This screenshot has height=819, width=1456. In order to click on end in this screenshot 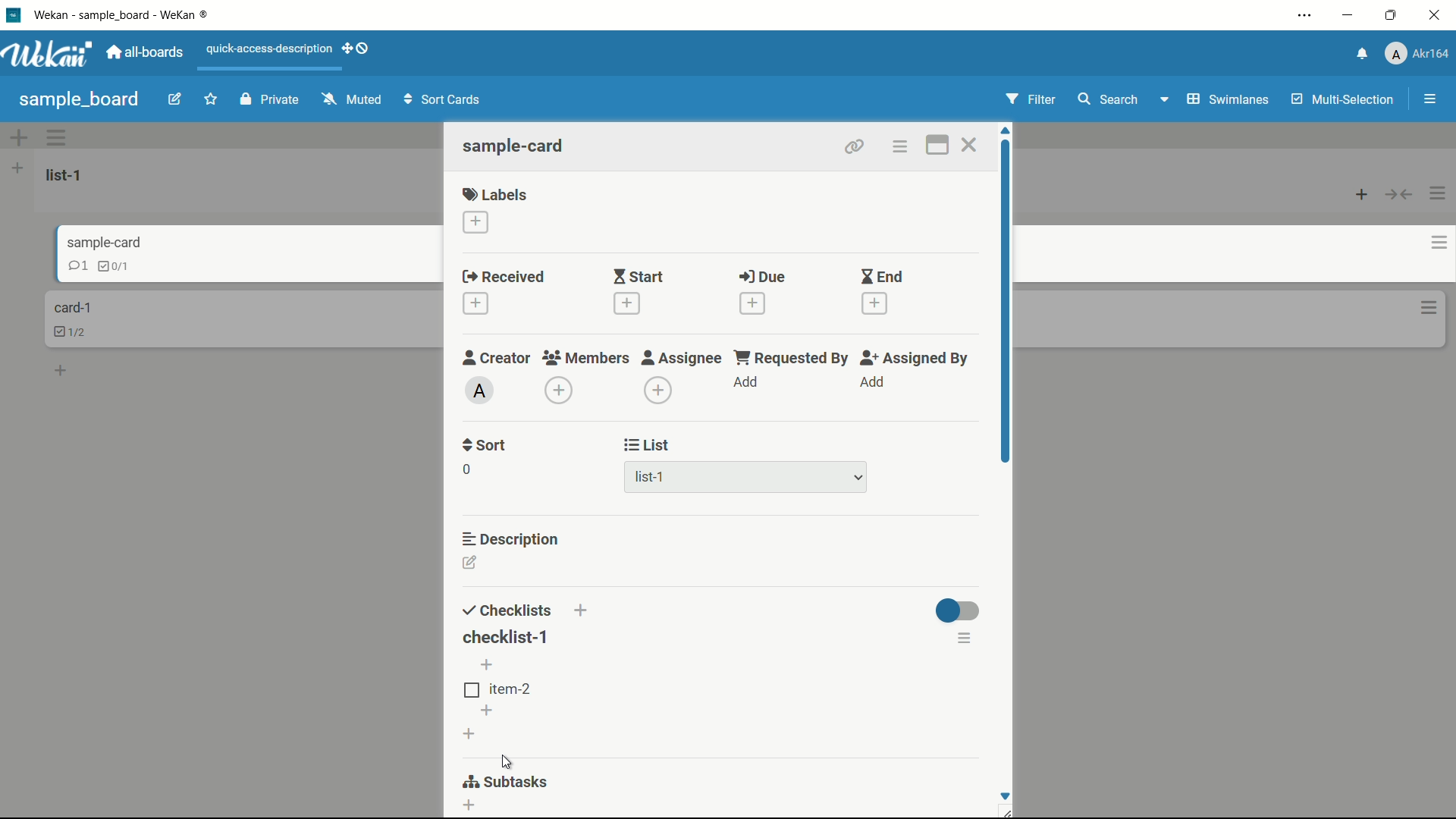, I will do `click(882, 276)`.